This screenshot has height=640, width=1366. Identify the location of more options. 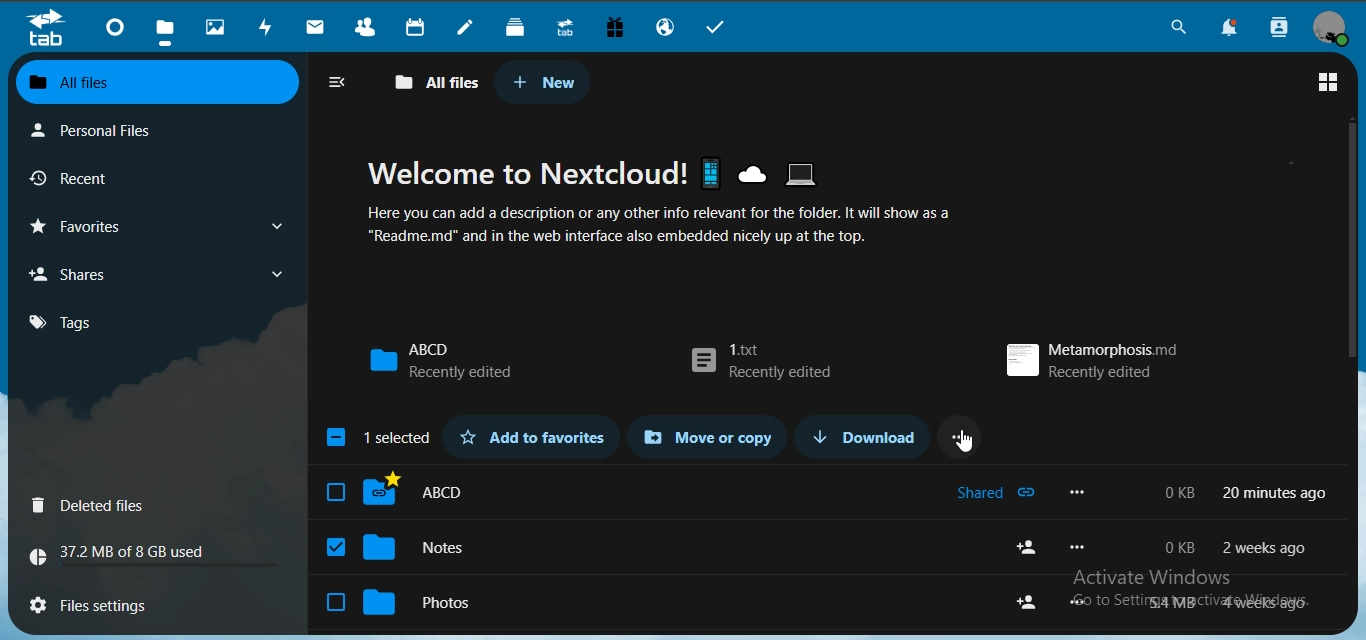
(1083, 602).